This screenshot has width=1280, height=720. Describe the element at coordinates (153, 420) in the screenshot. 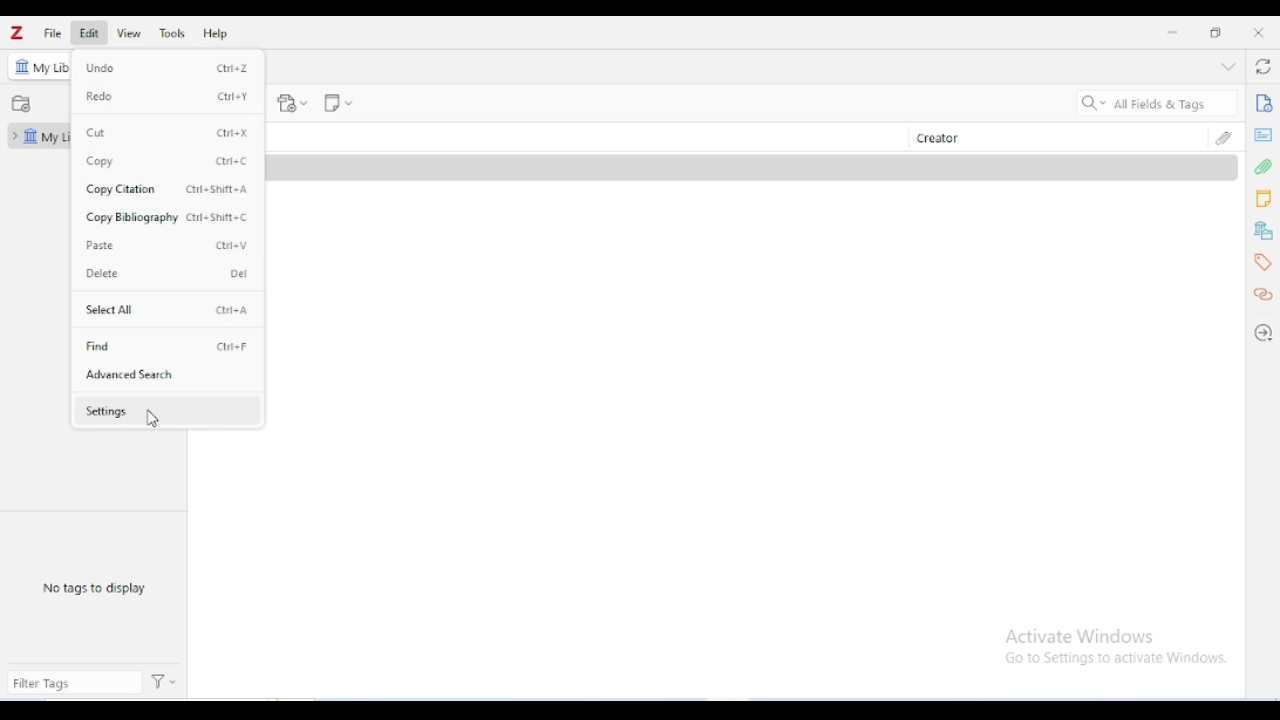

I see `cursor` at that location.